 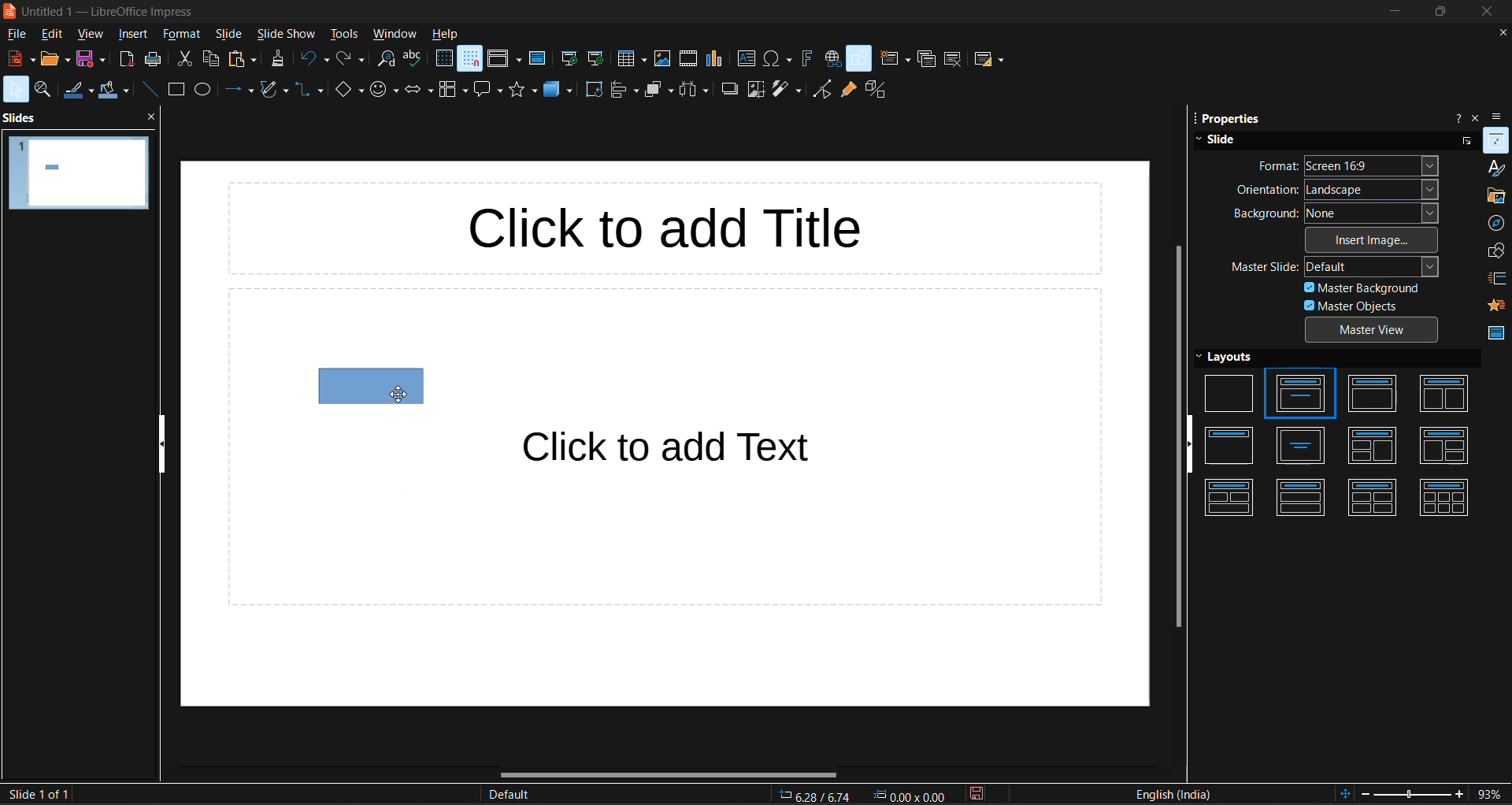 I want to click on hide, so click(x=1189, y=445).